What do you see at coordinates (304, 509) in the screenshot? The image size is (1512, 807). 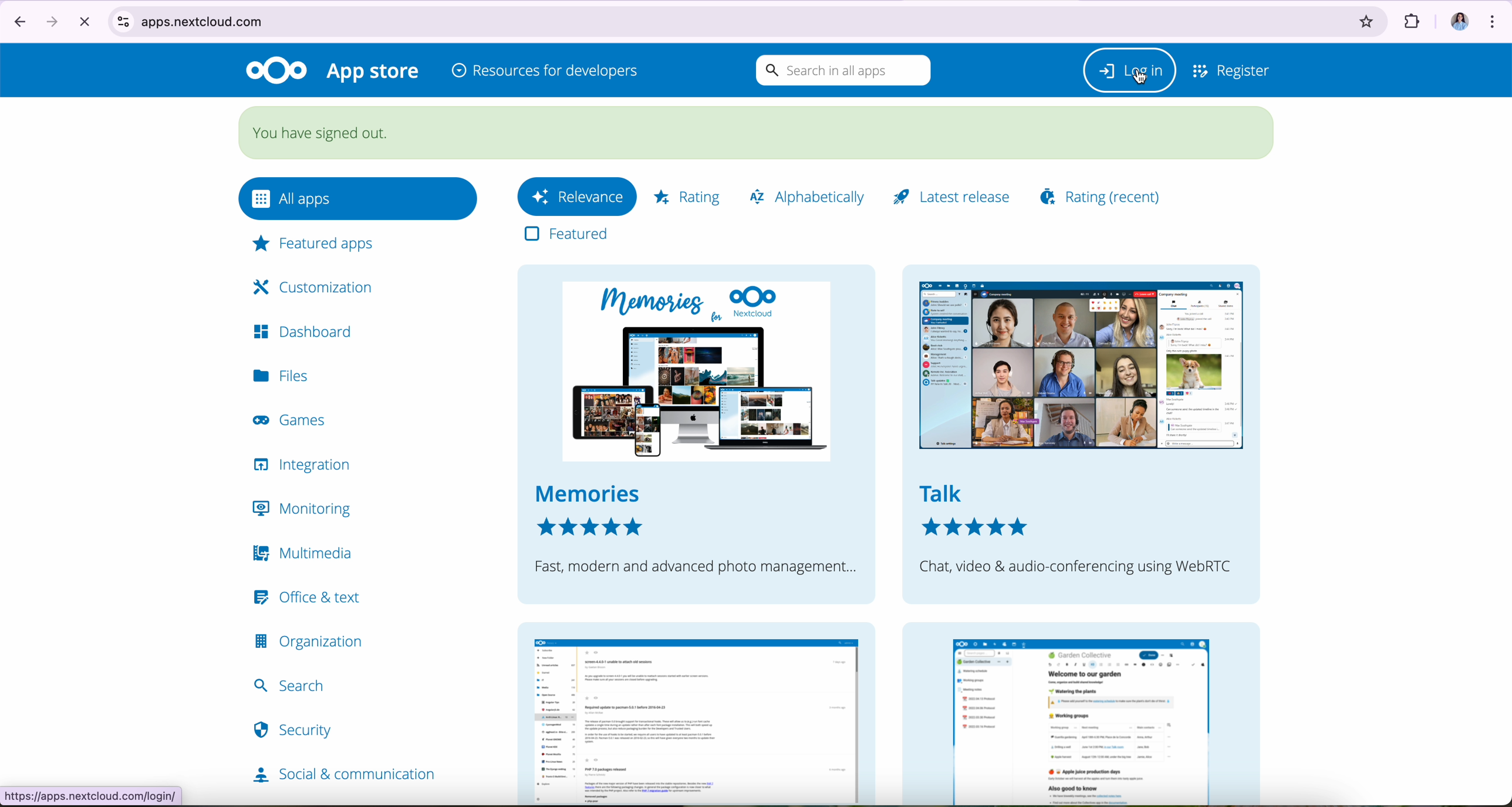 I see `monitoring` at bounding box center [304, 509].